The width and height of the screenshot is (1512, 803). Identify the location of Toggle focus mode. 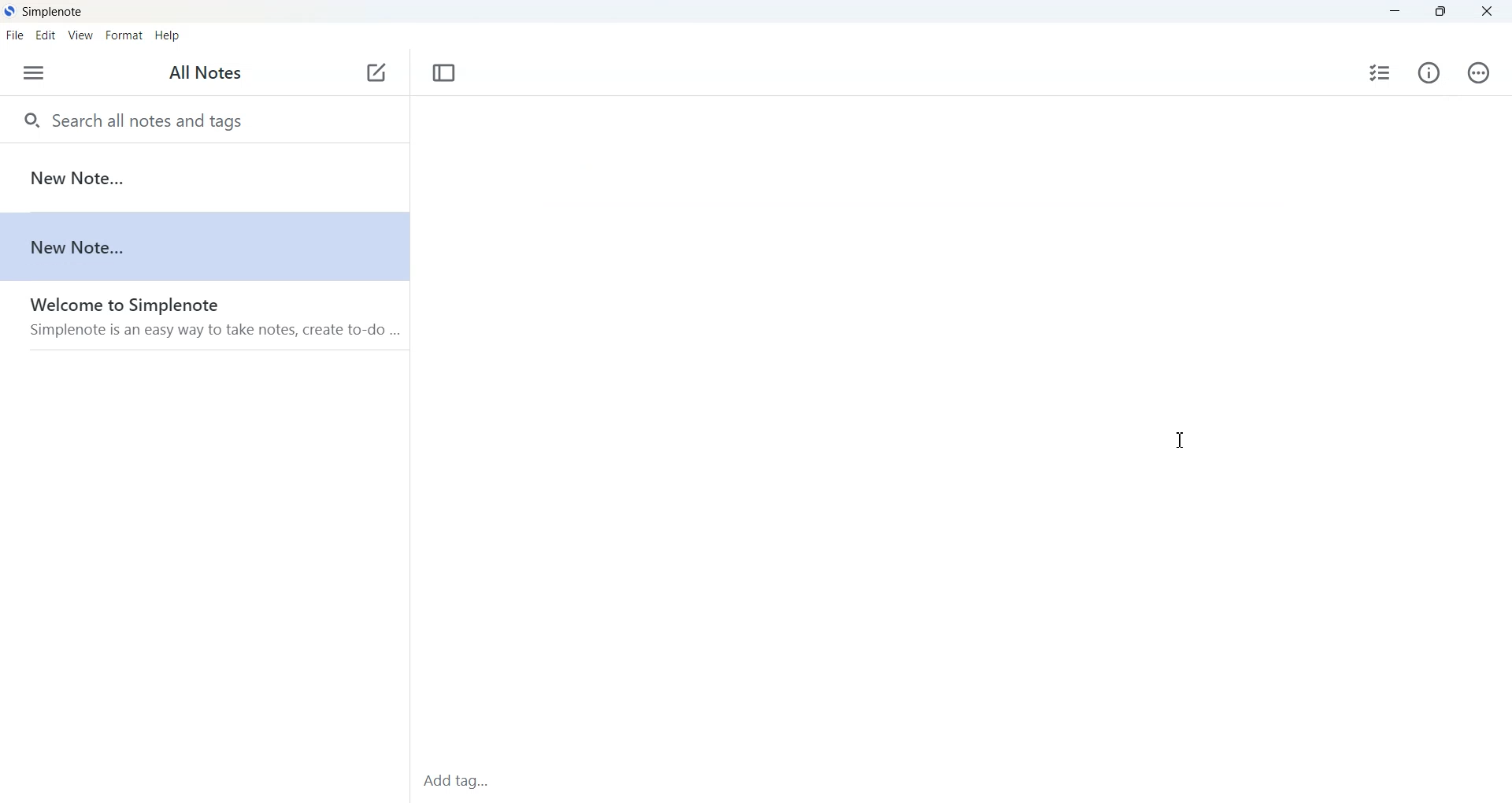
(443, 73).